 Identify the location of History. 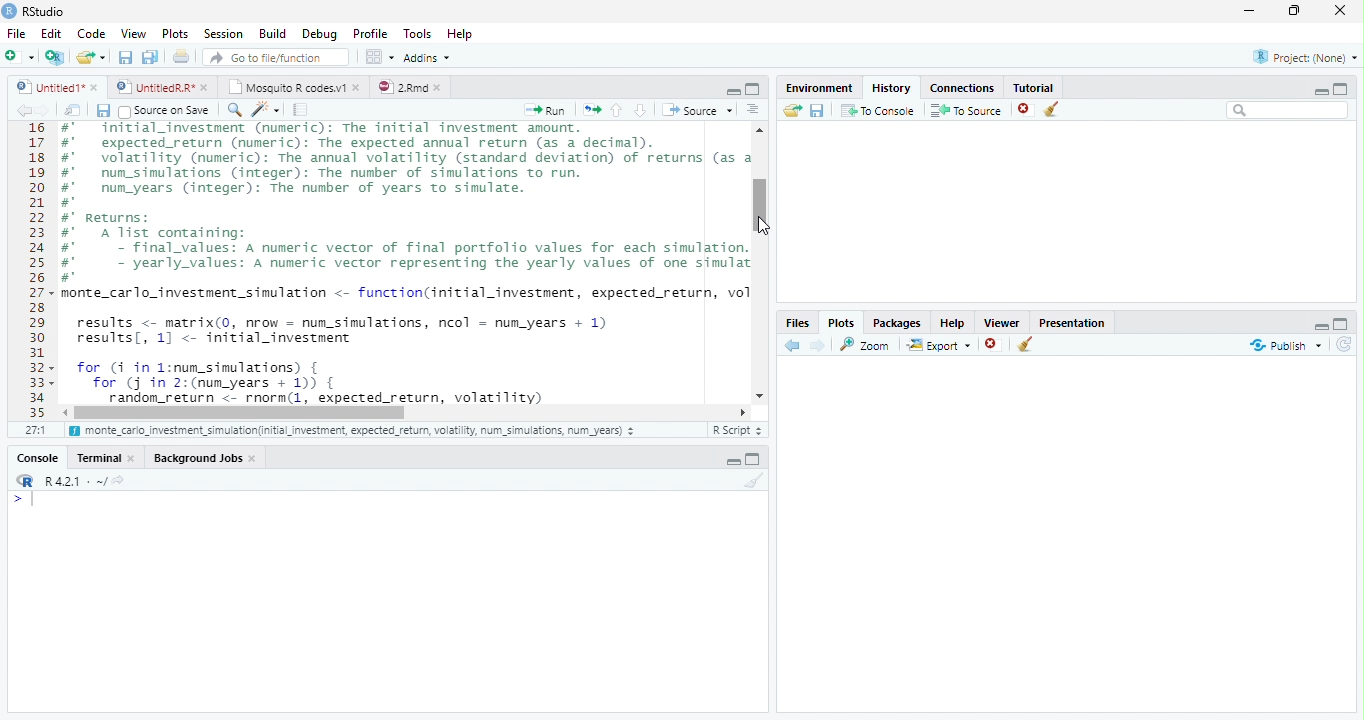
(890, 86).